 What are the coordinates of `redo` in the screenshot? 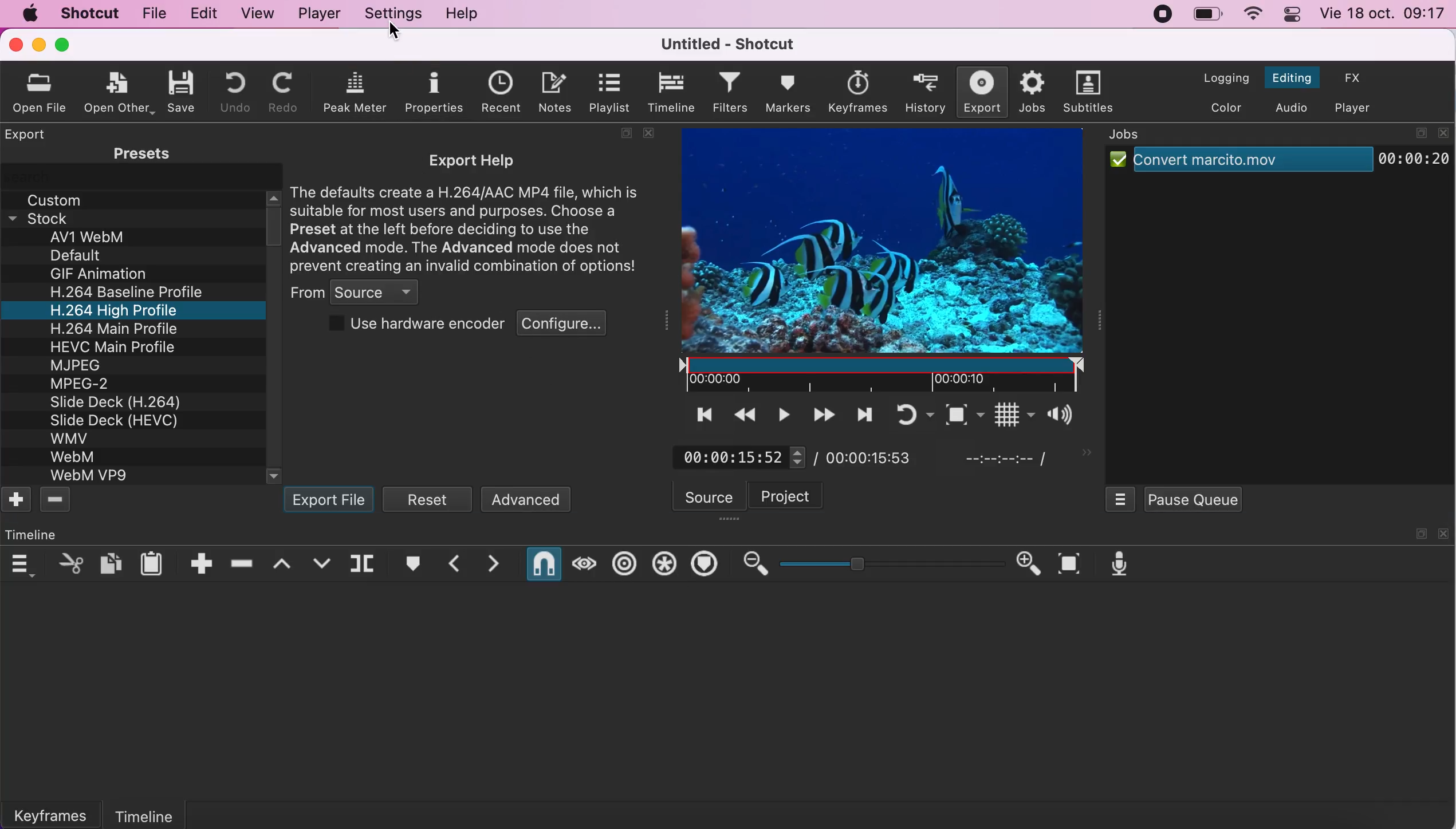 It's located at (283, 92).